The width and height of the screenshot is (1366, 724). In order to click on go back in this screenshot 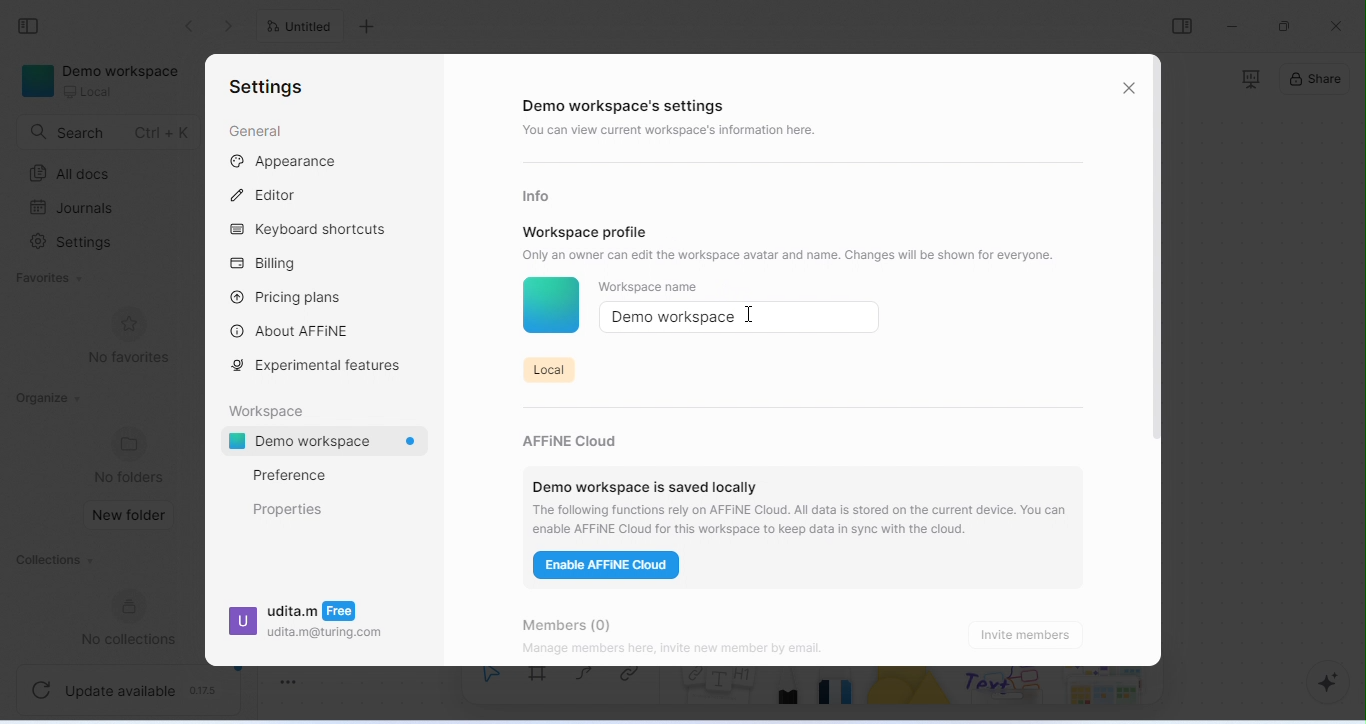, I will do `click(190, 26)`.